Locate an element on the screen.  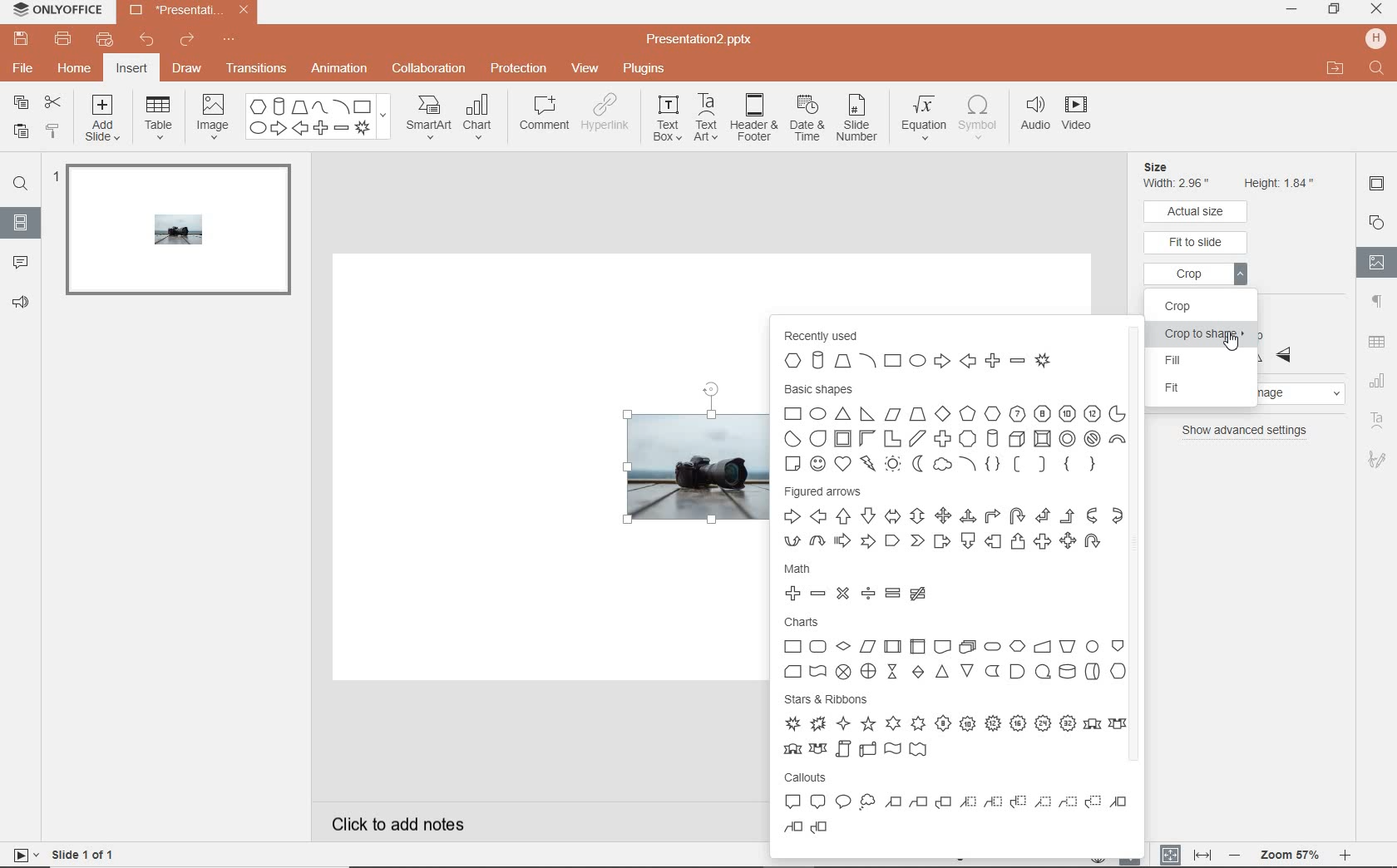
Width 2.96" is located at coordinates (1179, 184).